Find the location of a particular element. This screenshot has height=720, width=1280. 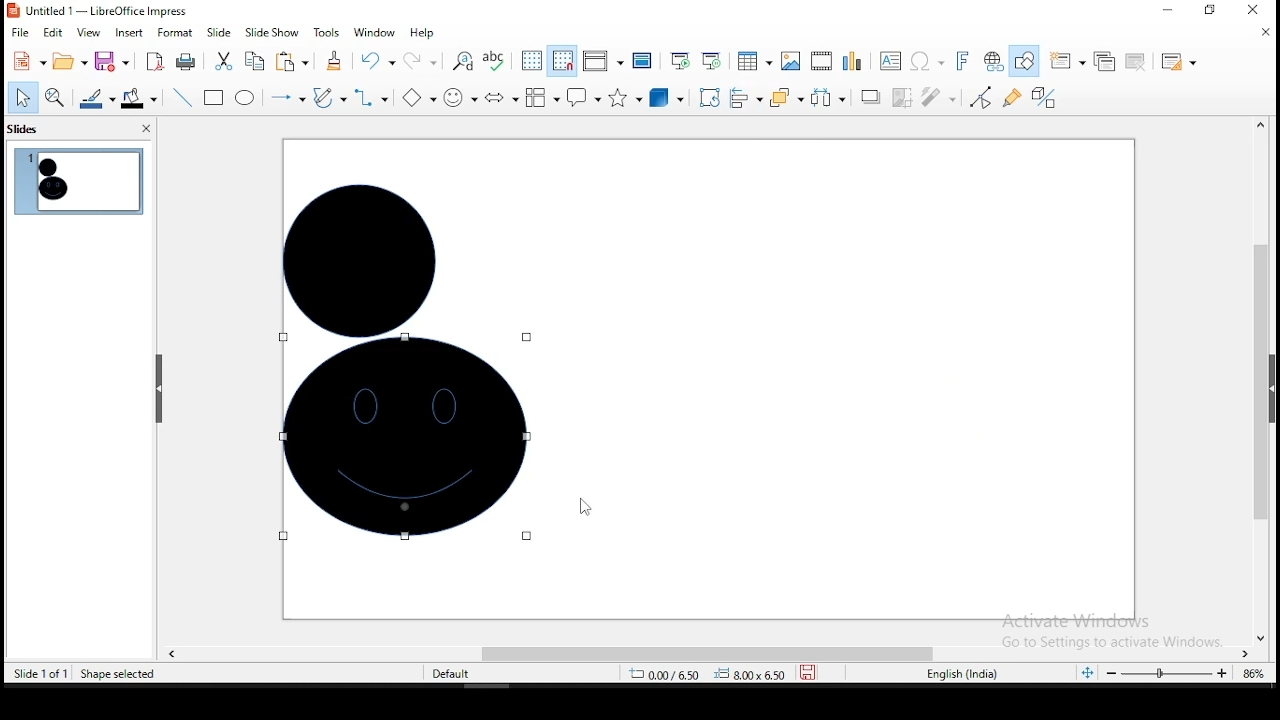

find and replace is located at coordinates (463, 60).